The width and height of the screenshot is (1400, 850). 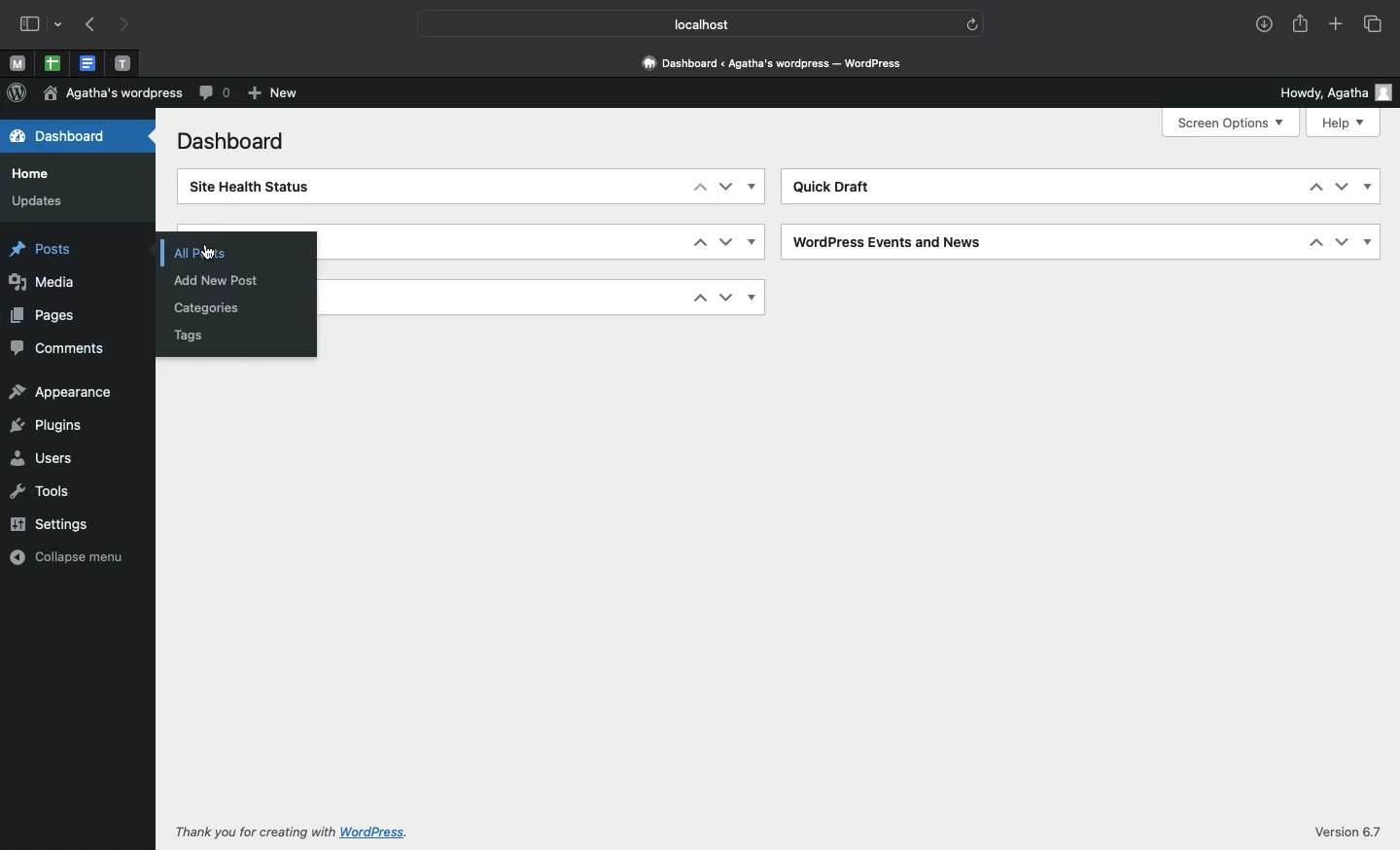 What do you see at coordinates (208, 309) in the screenshot?
I see `Categories` at bounding box center [208, 309].